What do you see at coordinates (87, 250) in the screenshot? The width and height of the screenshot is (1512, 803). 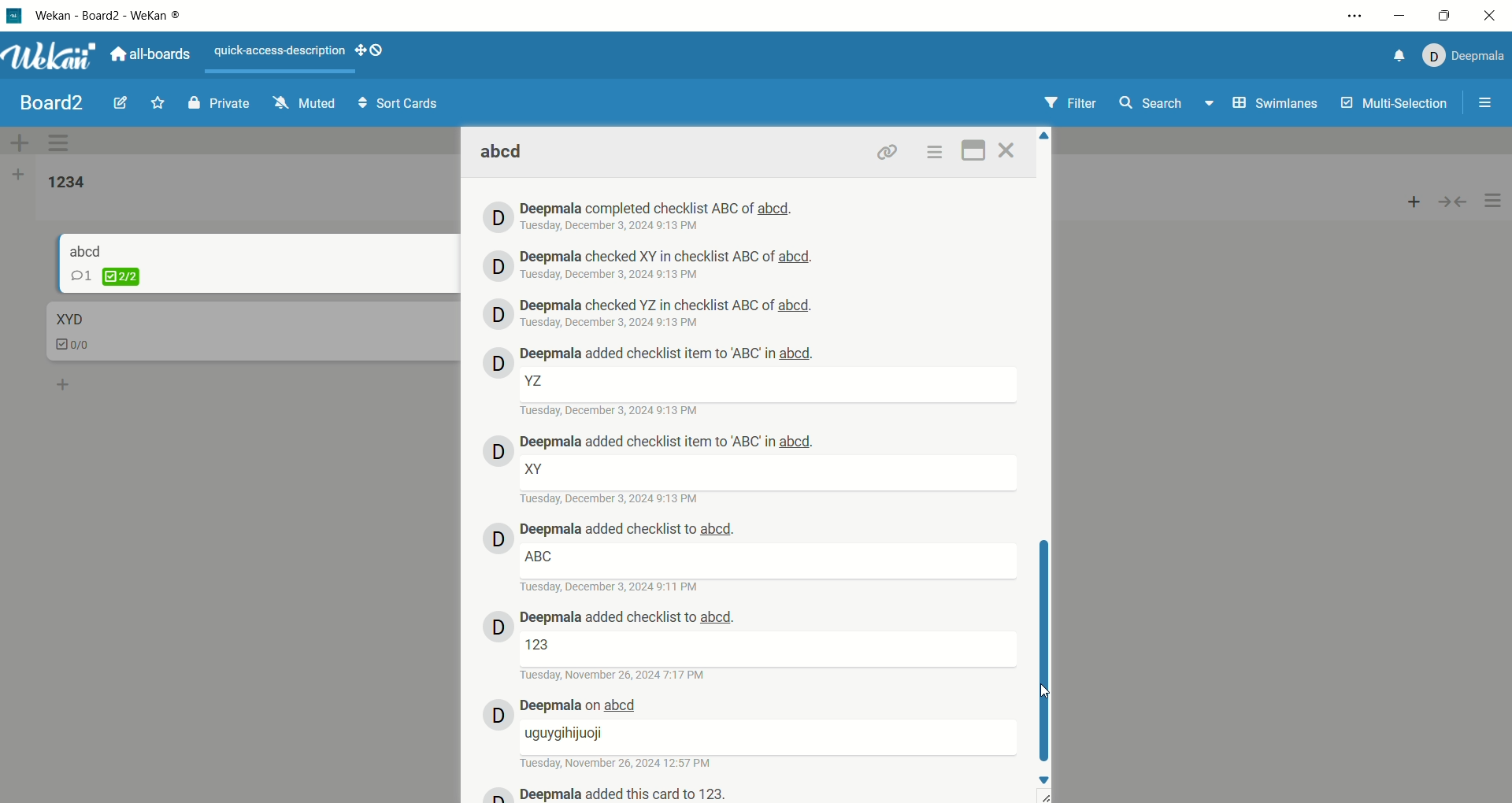 I see `card title` at bounding box center [87, 250].